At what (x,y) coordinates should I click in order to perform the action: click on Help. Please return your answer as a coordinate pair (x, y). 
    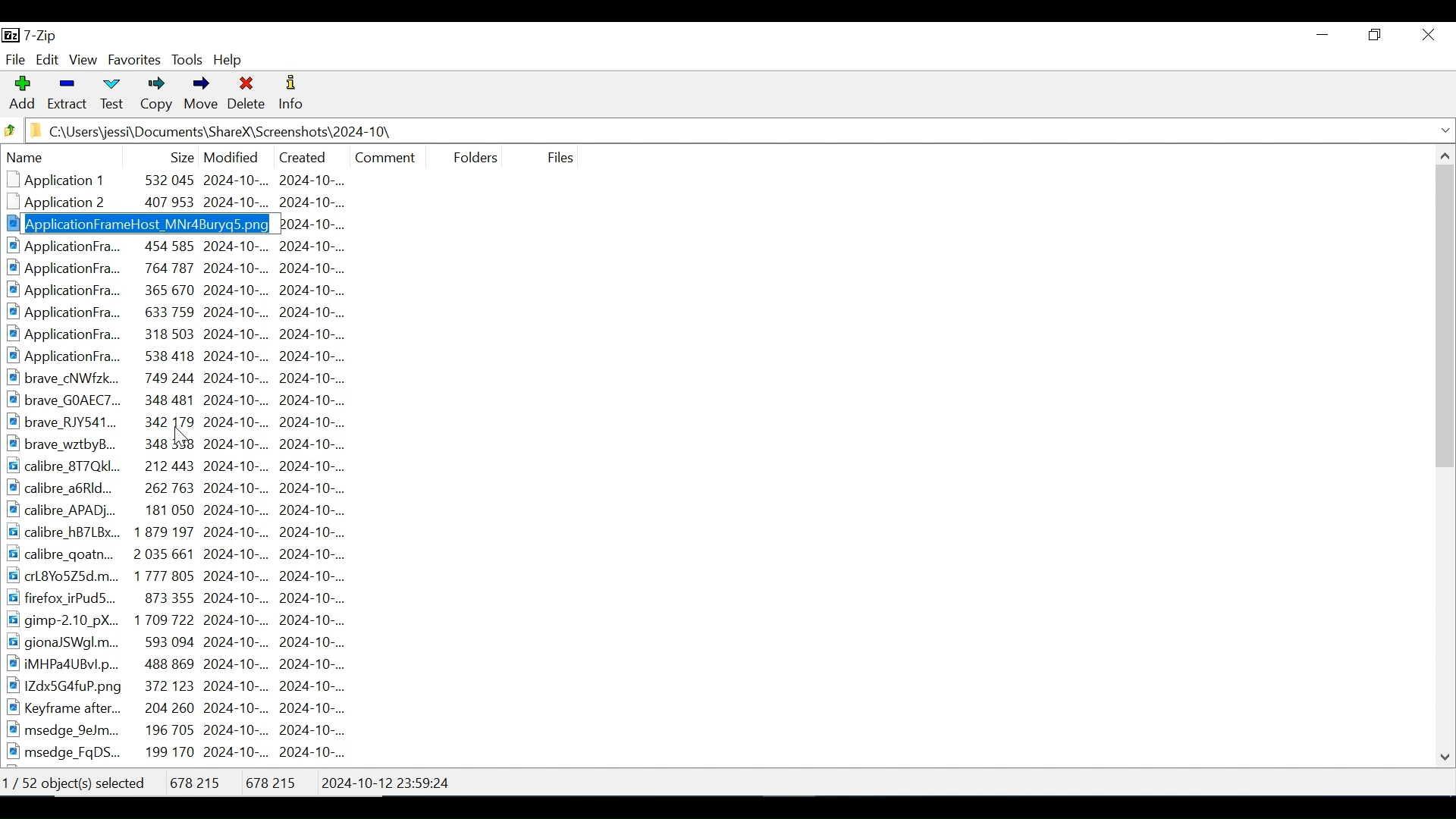
    Looking at the image, I should click on (230, 59).